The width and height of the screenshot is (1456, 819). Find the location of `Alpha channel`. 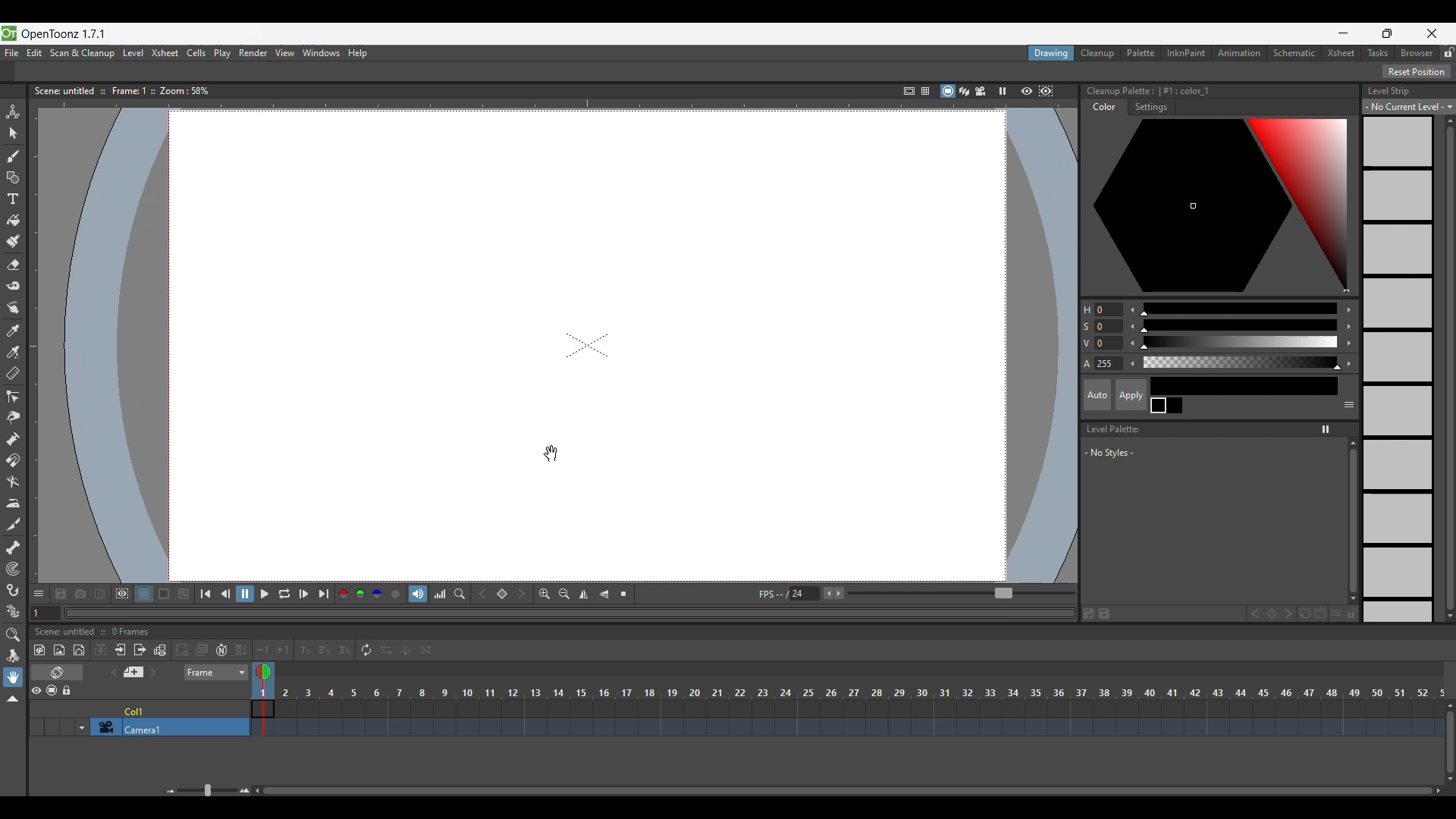

Alpha channel is located at coordinates (396, 594).